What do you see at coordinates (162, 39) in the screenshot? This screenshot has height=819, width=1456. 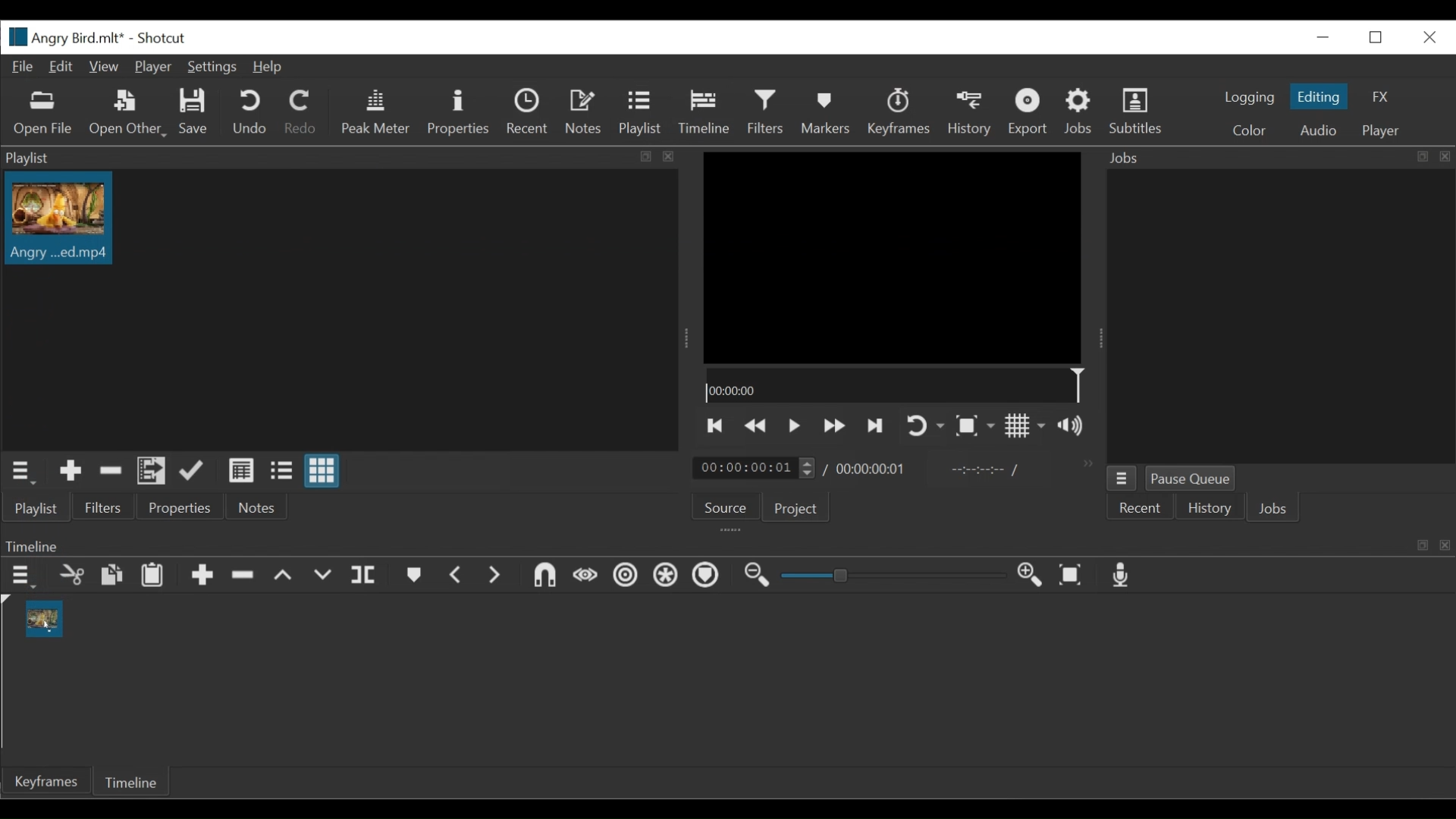 I see `Shotcut` at bounding box center [162, 39].